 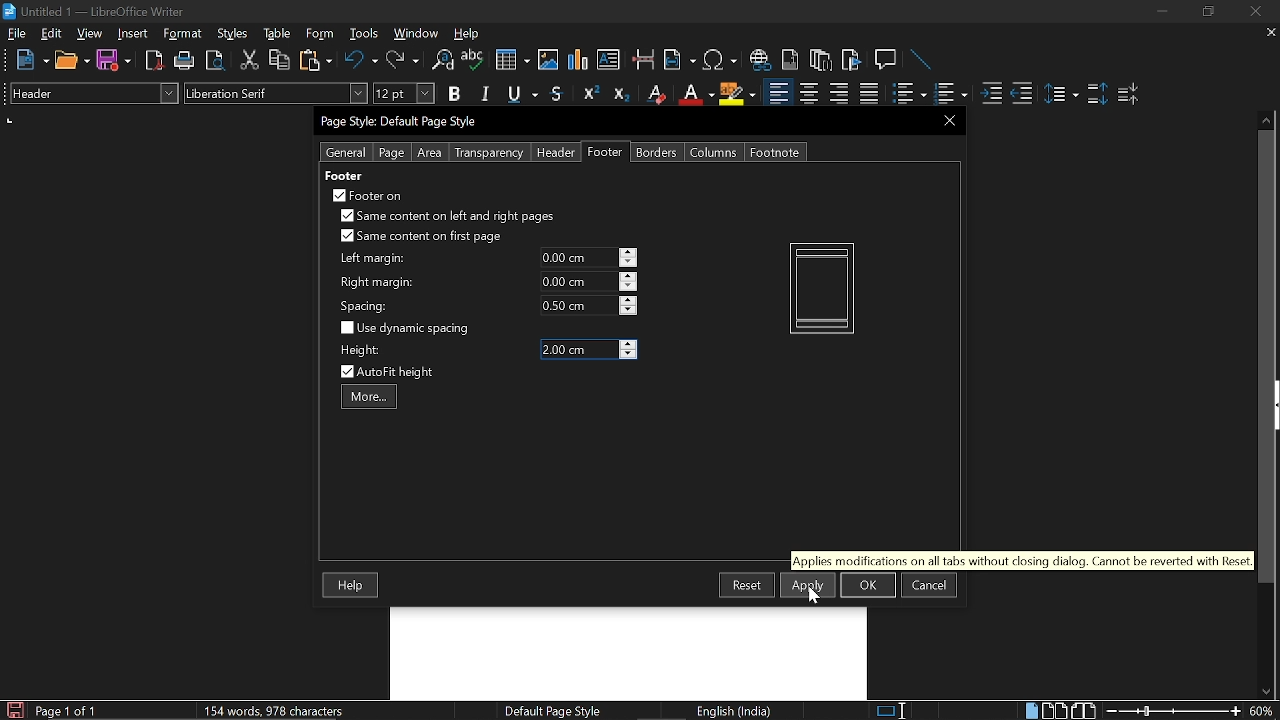 What do you see at coordinates (629, 263) in the screenshot?
I see `decrease left margin` at bounding box center [629, 263].